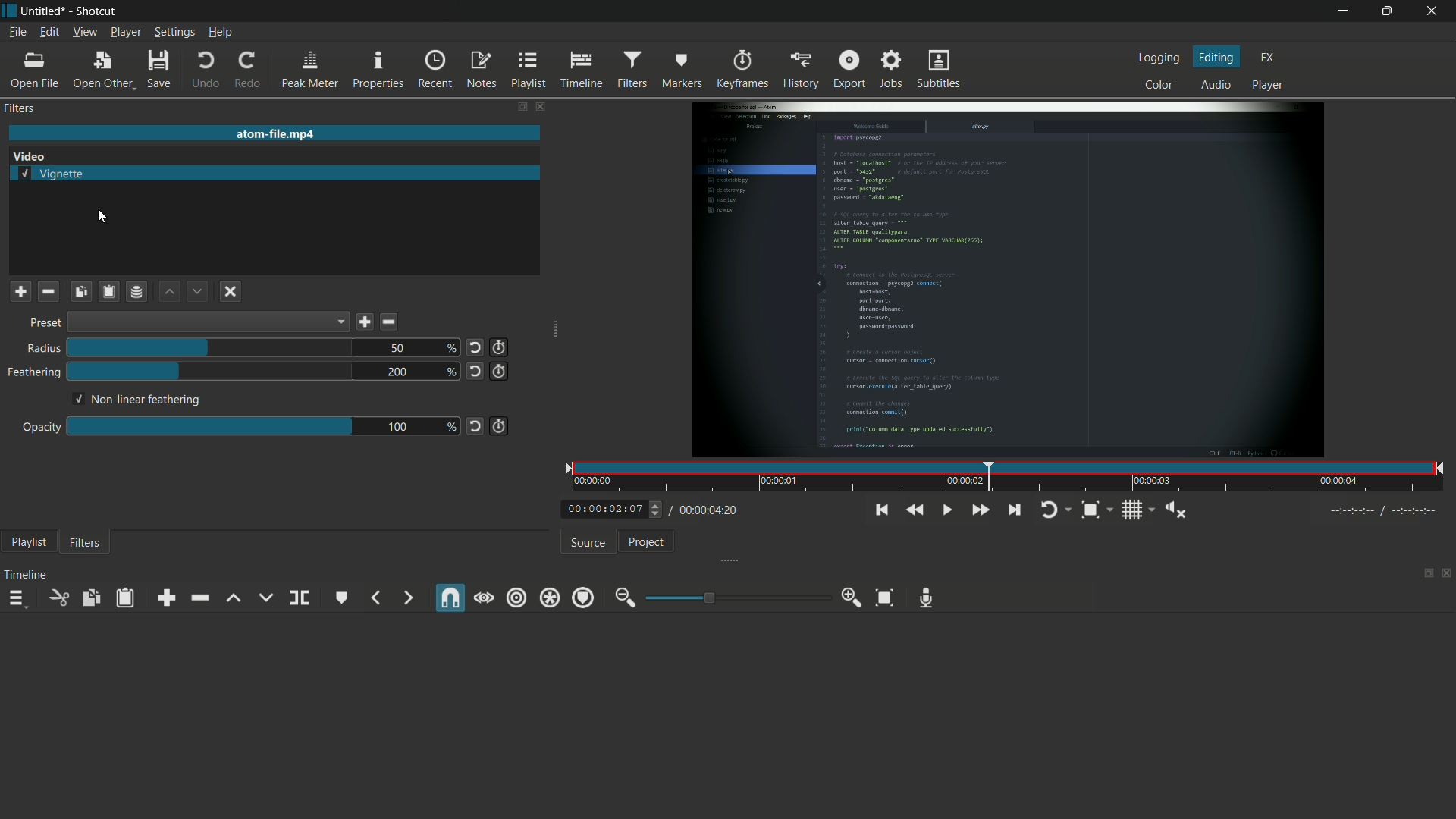  Describe the element at coordinates (1423, 574) in the screenshot. I see `change layout` at that location.